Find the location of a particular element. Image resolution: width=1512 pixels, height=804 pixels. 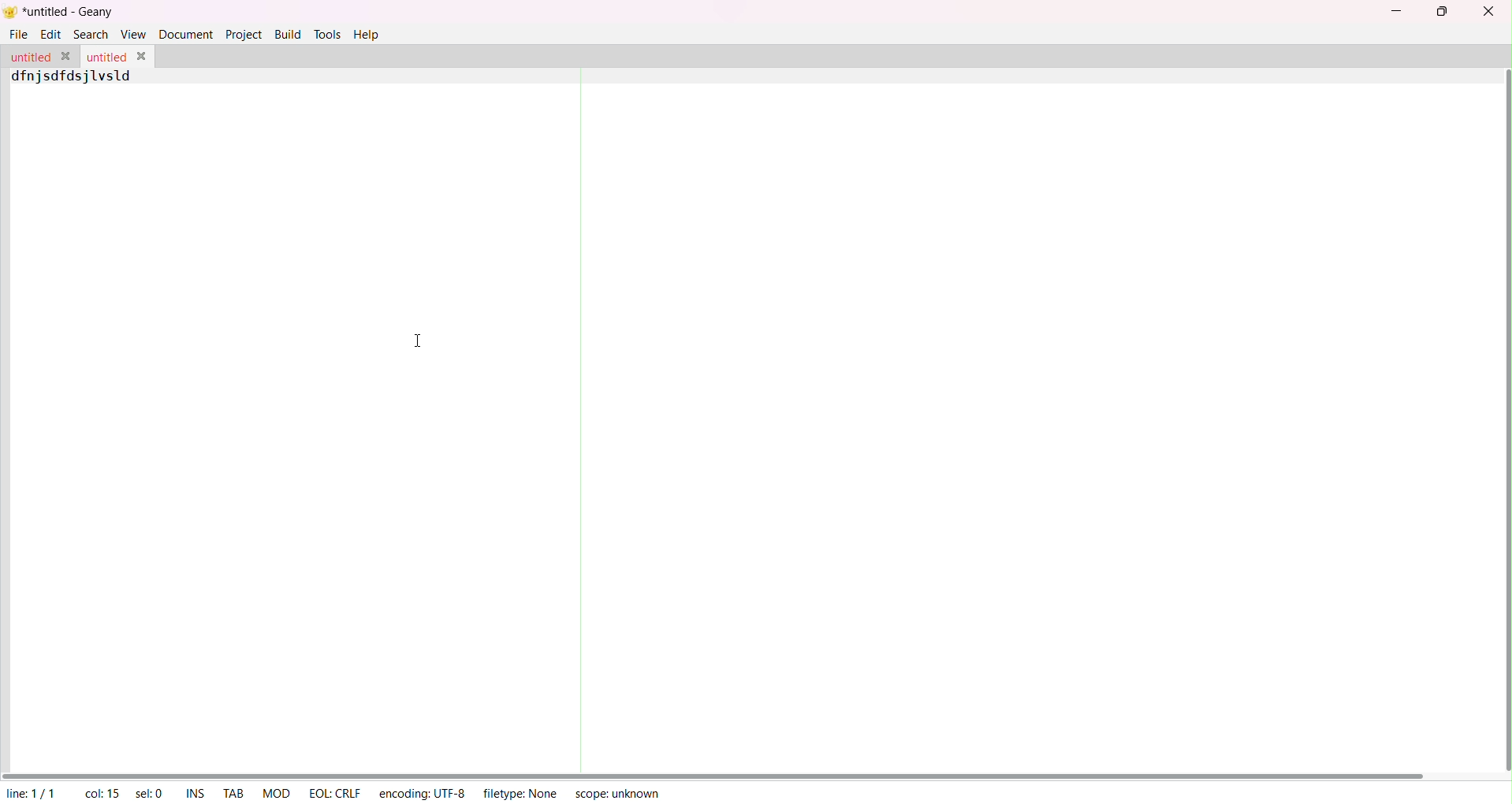

sel: 0 is located at coordinates (147, 795).